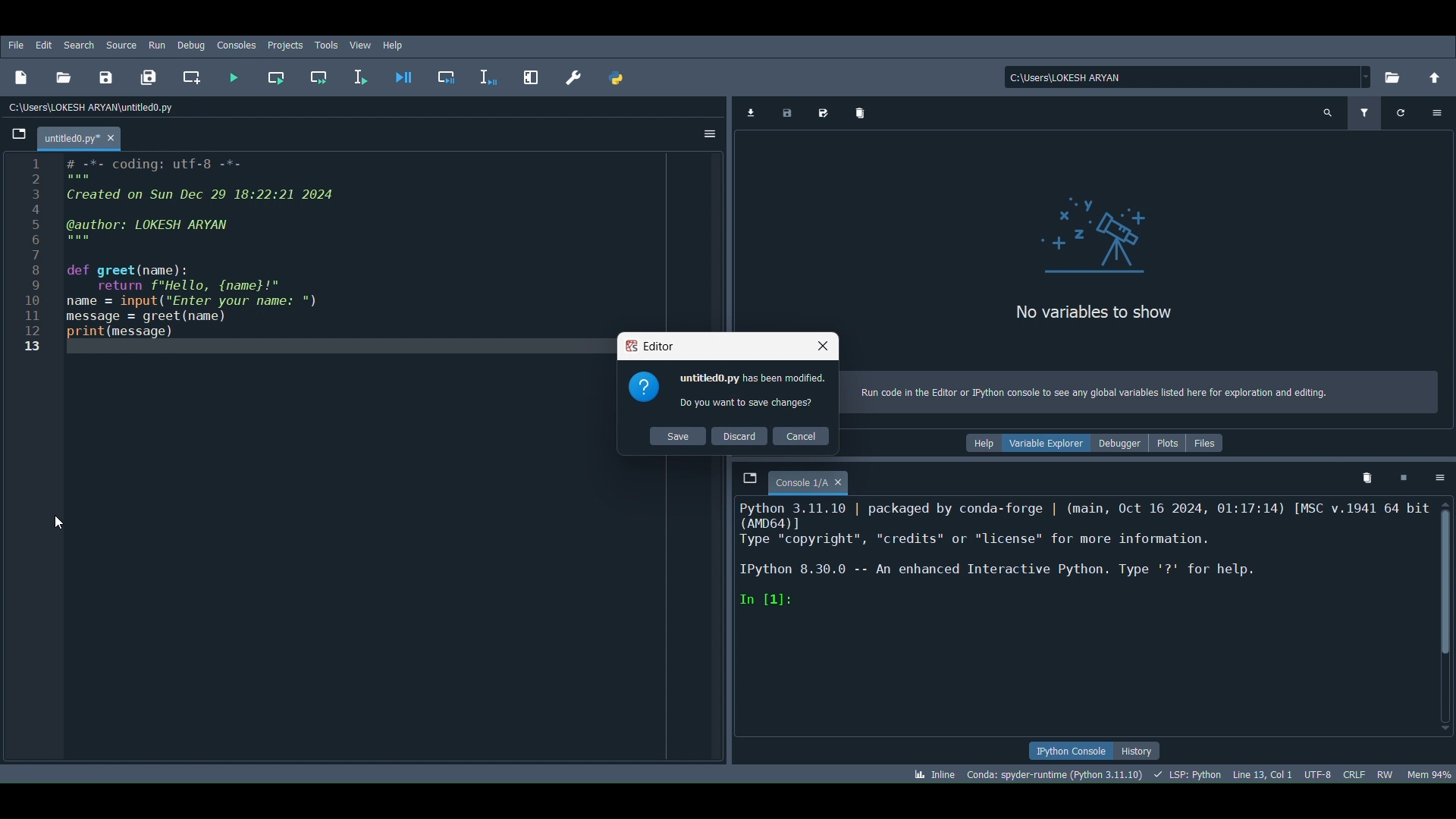 The image size is (1456, 819). Describe the element at coordinates (22, 257) in the screenshot. I see `Serial numbers : (1-13)` at that location.